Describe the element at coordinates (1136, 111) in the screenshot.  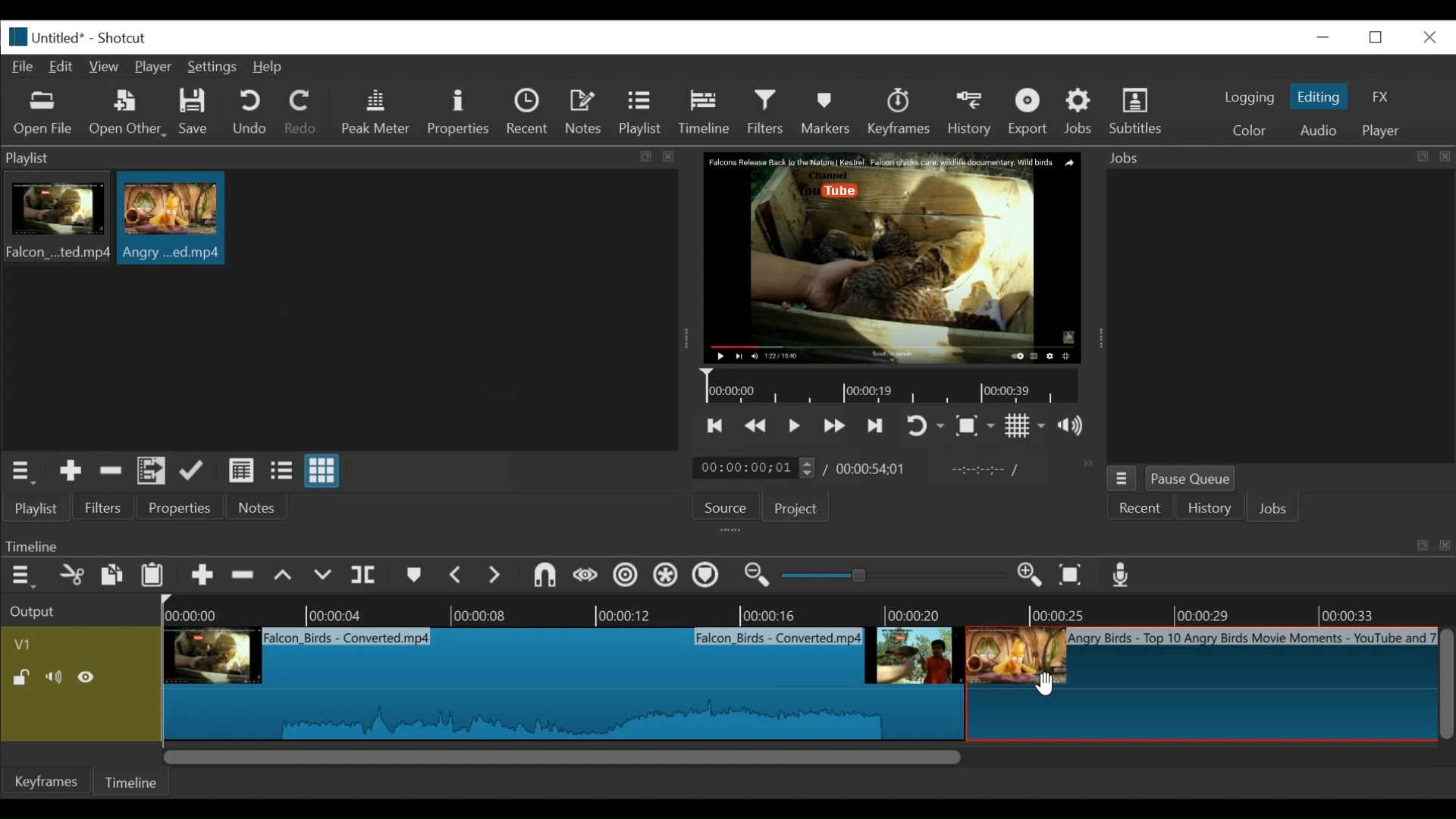
I see `Subtitles` at that location.